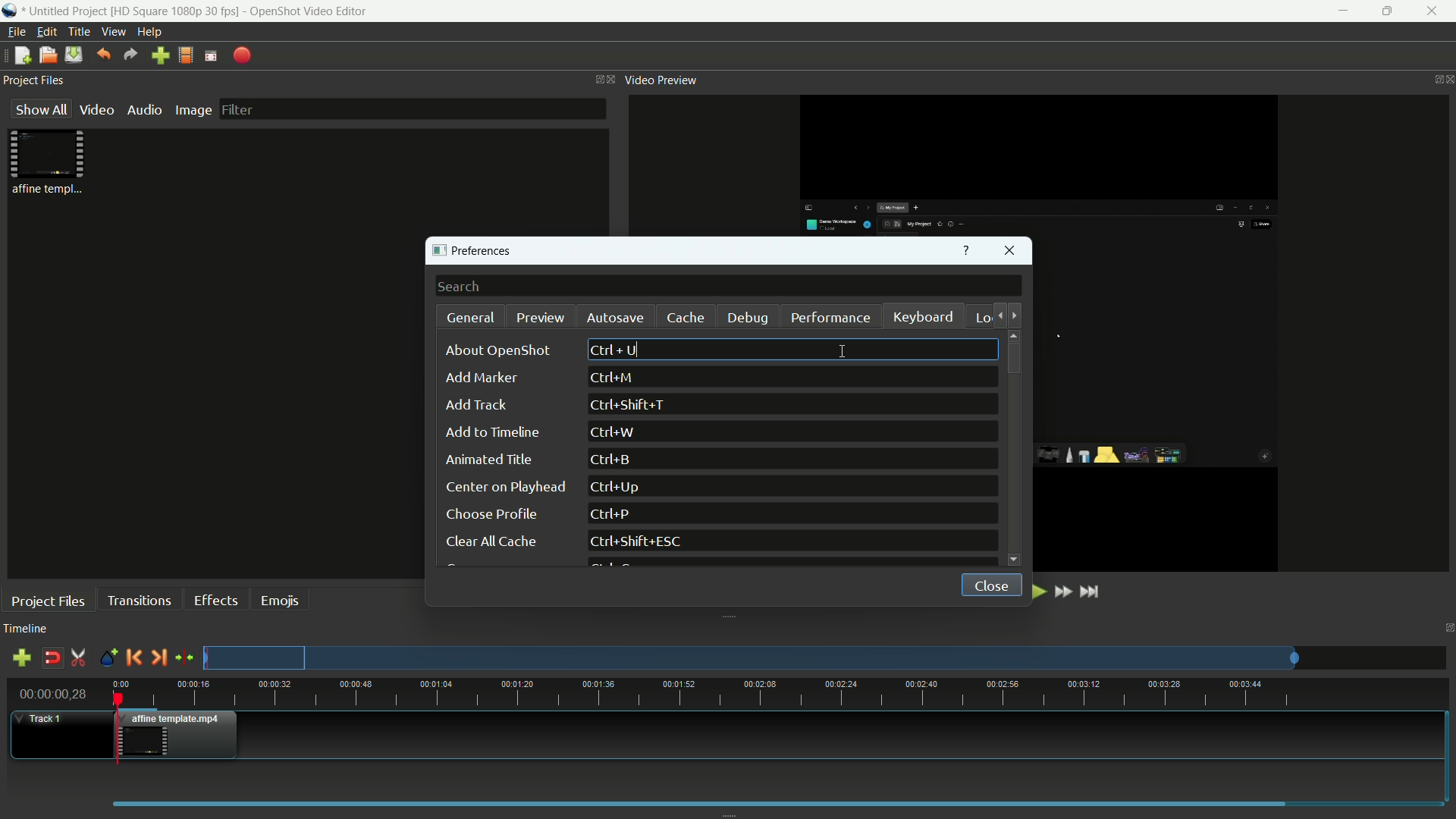 This screenshot has width=1456, height=819. I want to click on close video preview, so click(1447, 80).